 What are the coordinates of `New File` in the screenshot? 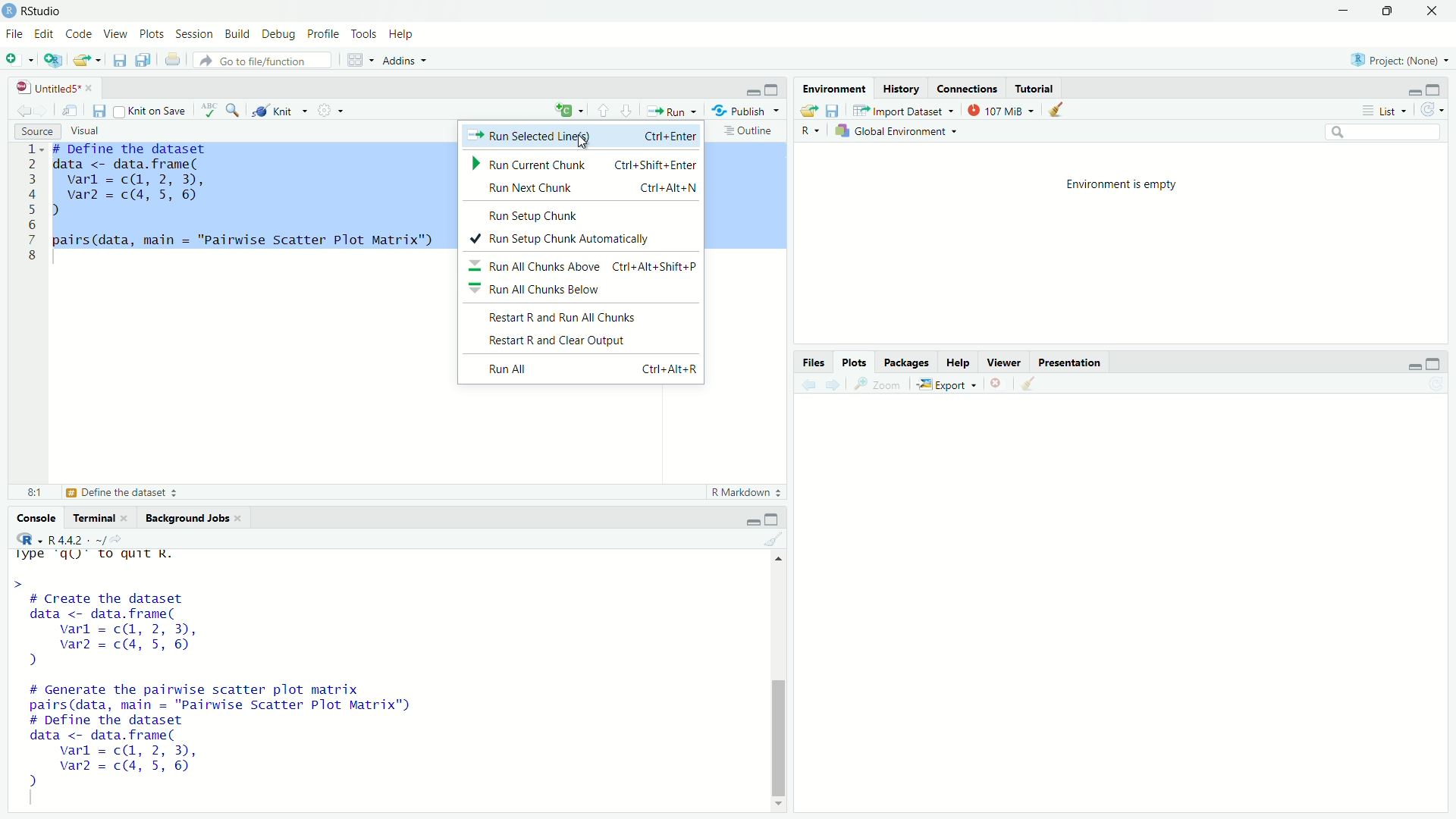 It's located at (18, 58).